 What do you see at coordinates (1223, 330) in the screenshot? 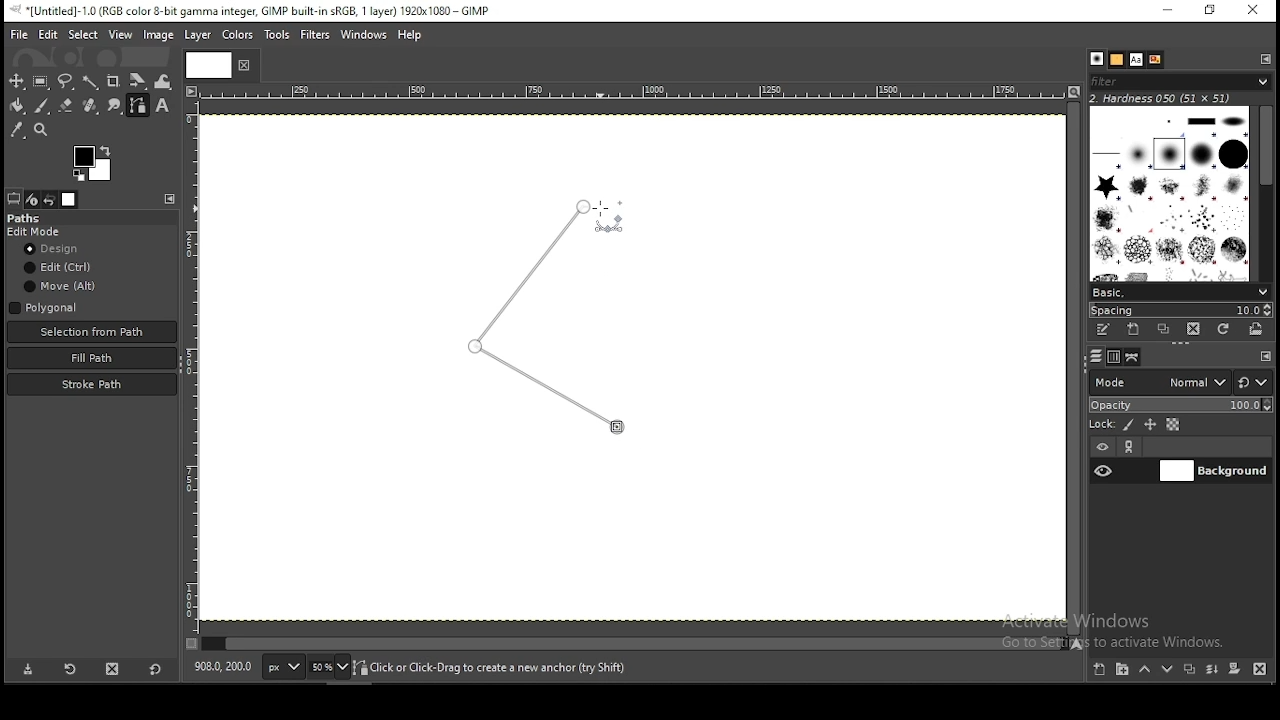
I see `refresh brushes` at bounding box center [1223, 330].